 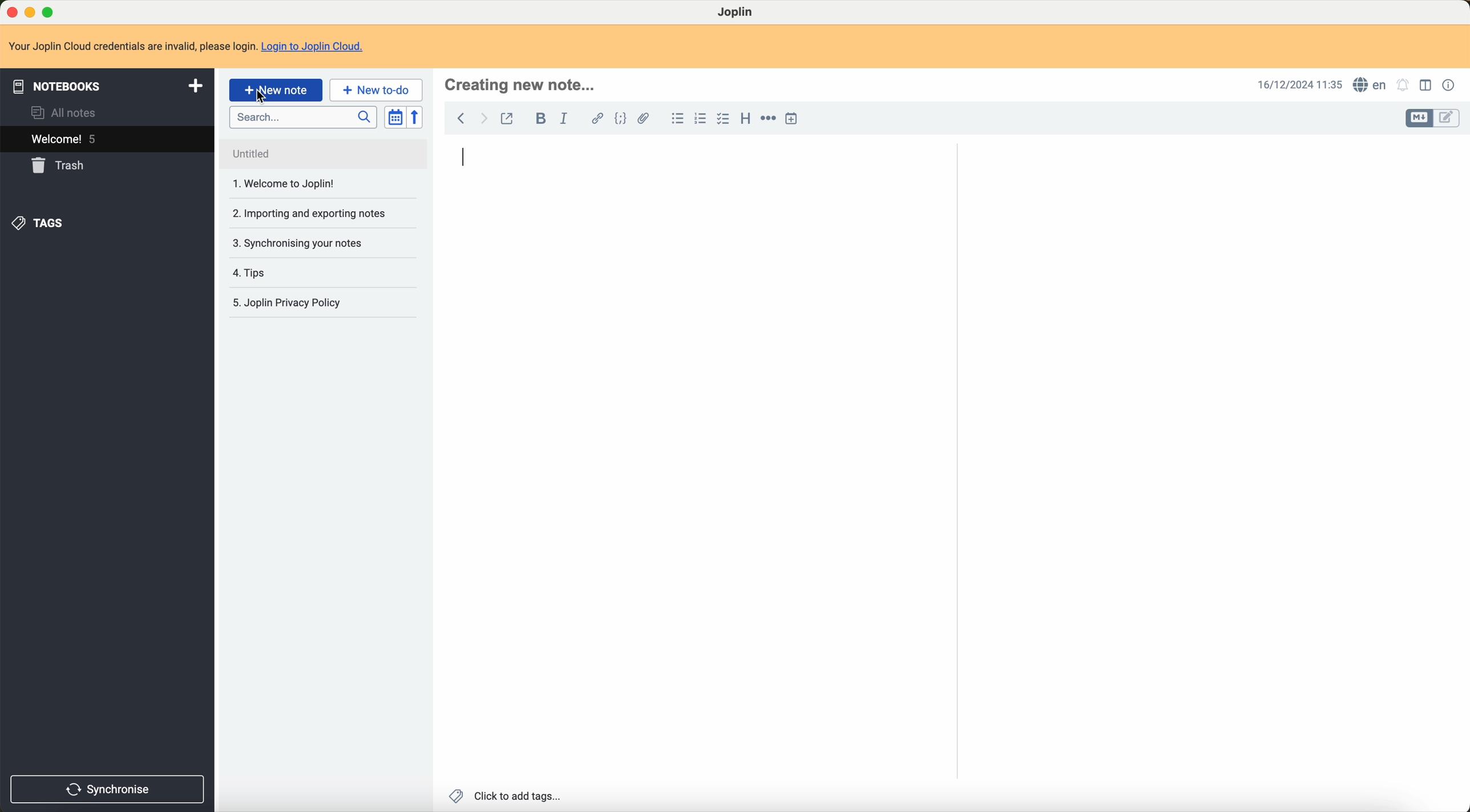 What do you see at coordinates (10, 10) in the screenshot?
I see `close program` at bounding box center [10, 10].